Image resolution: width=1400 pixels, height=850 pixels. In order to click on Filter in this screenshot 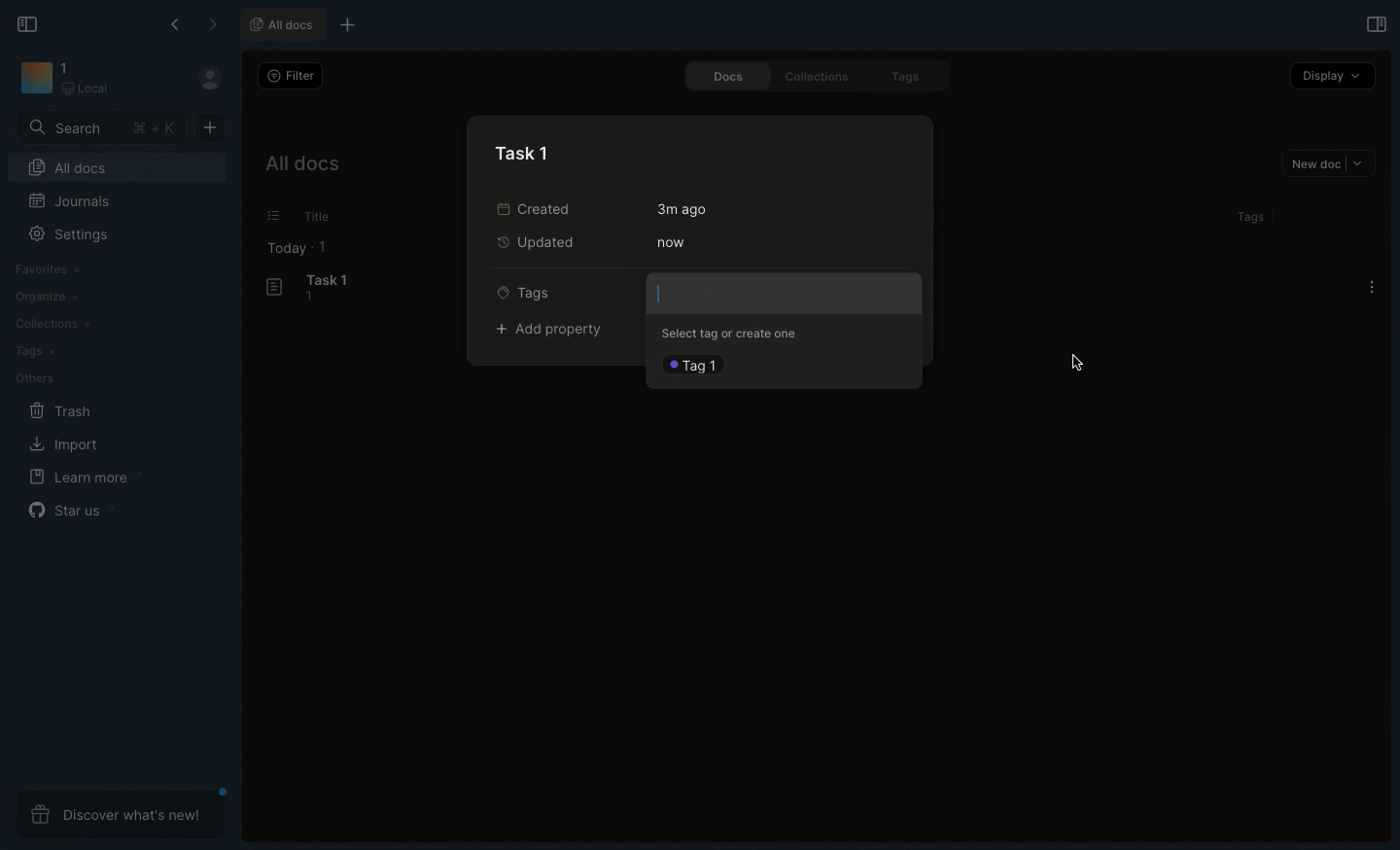, I will do `click(292, 76)`.